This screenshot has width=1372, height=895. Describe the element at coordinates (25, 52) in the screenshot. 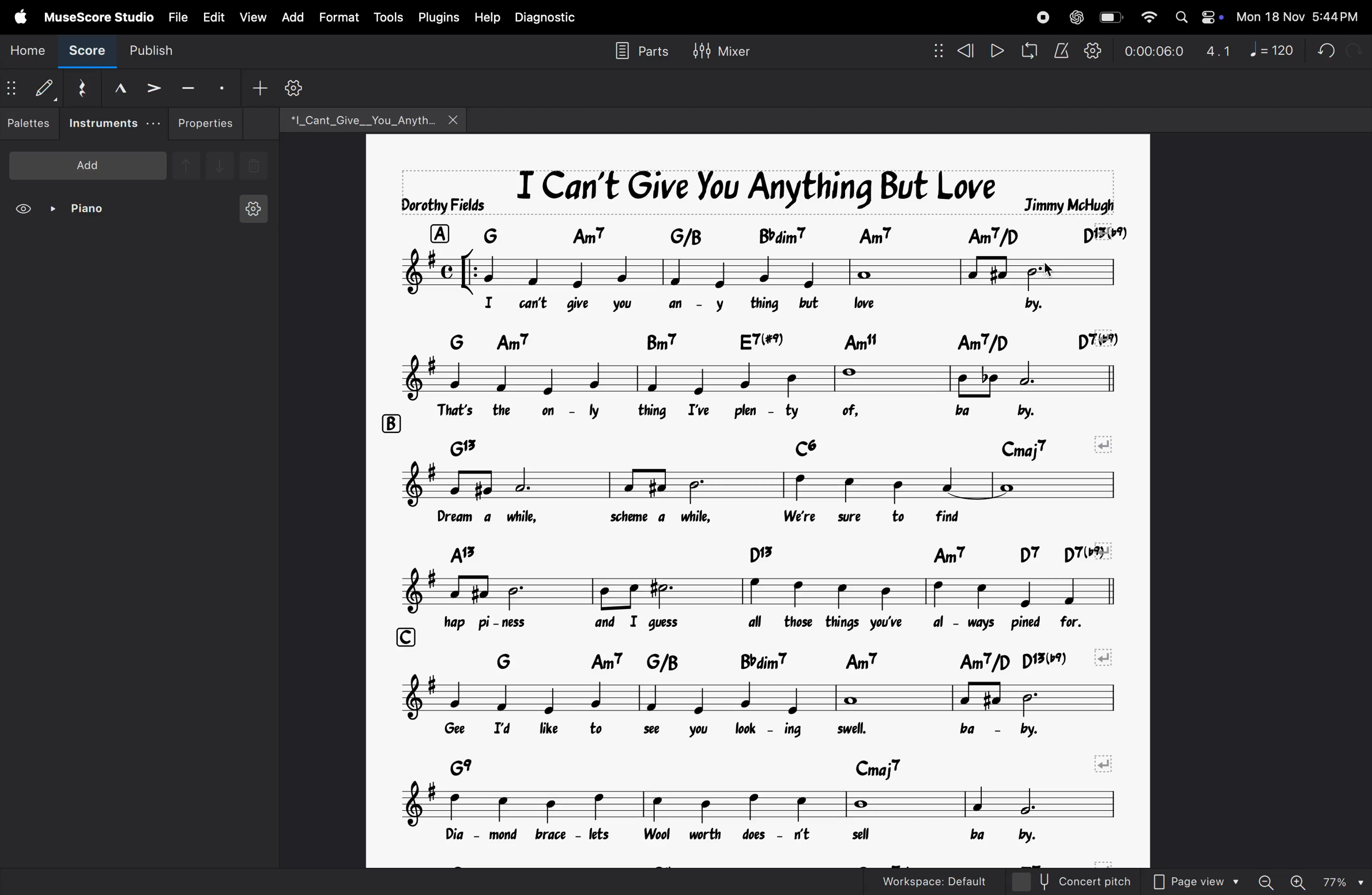

I see `home` at that location.